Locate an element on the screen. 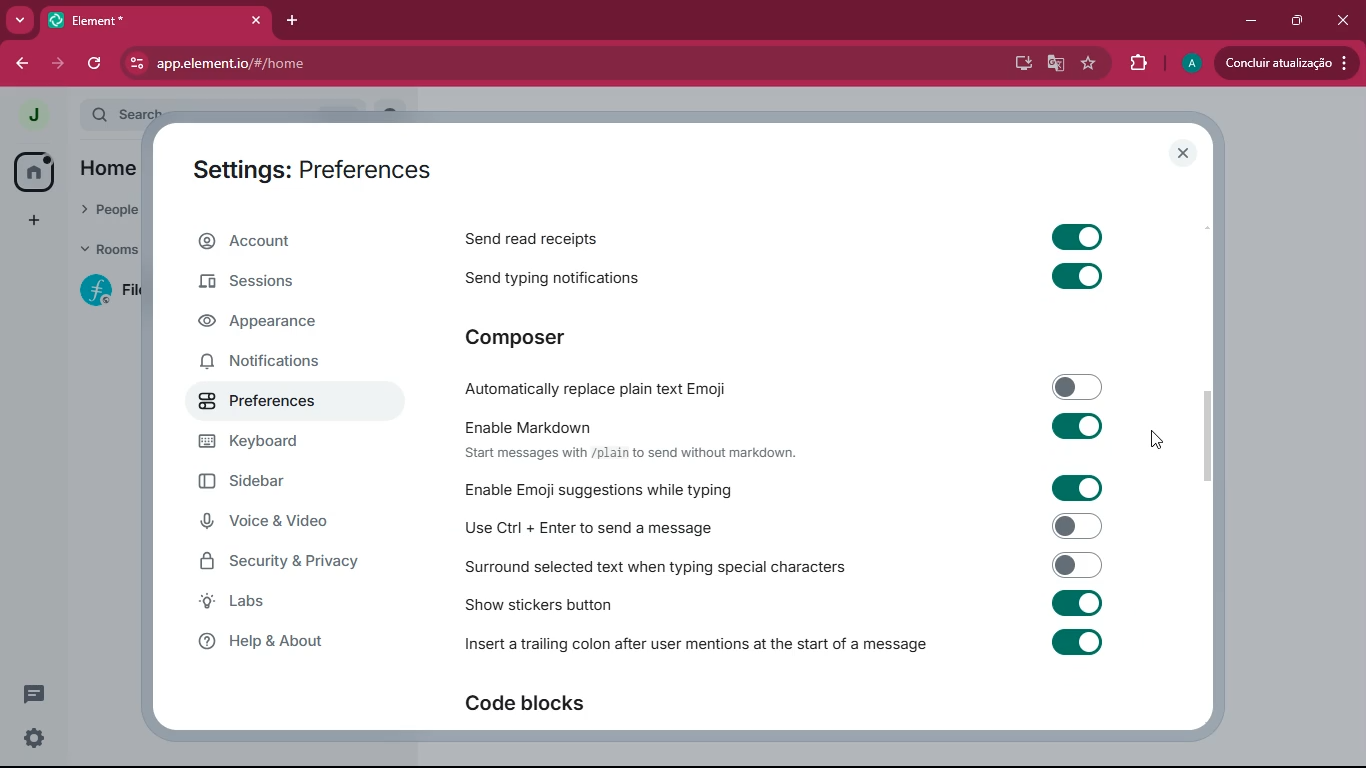  account is located at coordinates (290, 242).